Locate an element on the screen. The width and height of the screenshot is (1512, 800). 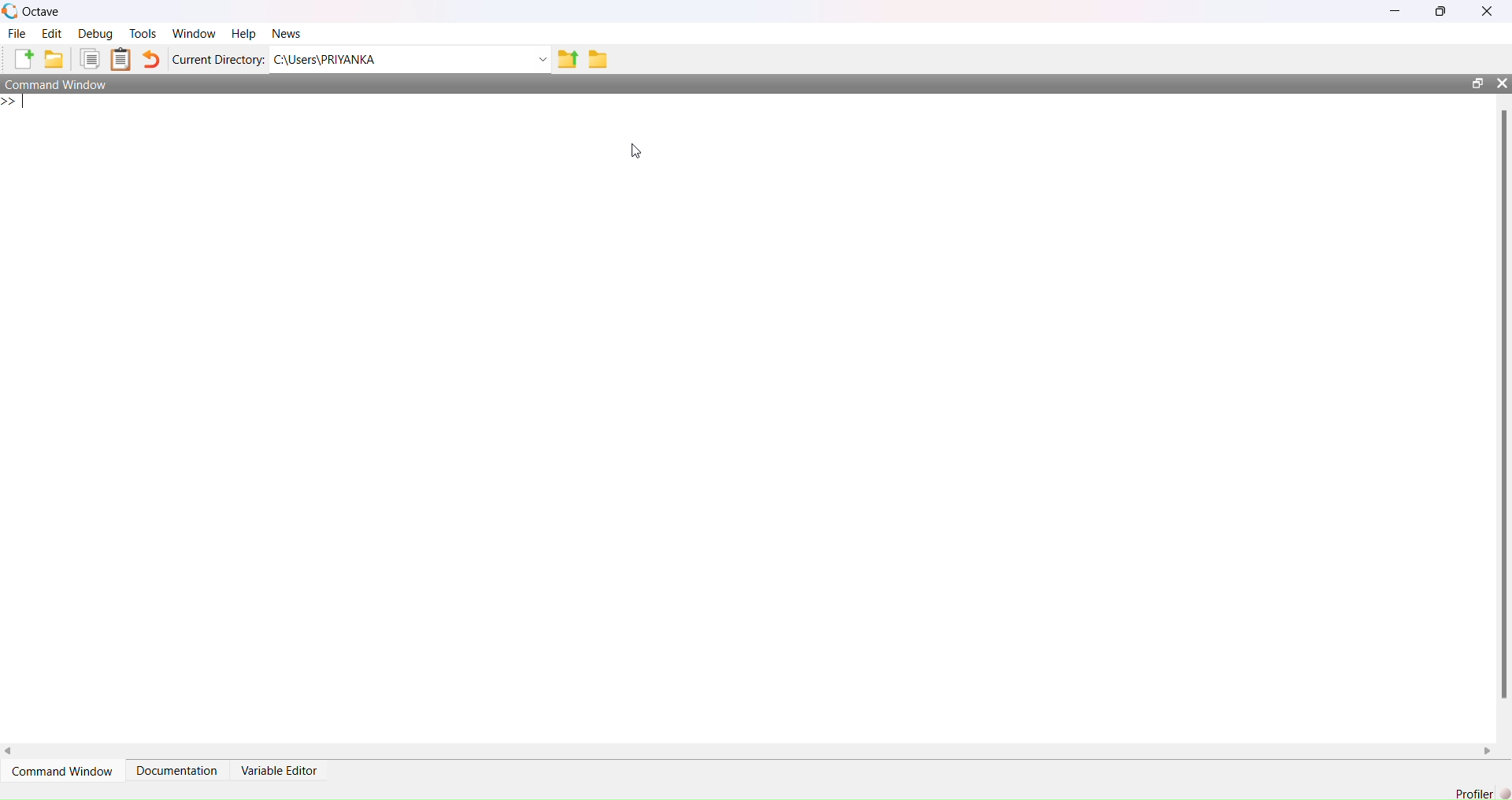
Current Directory: is located at coordinates (219, 60).